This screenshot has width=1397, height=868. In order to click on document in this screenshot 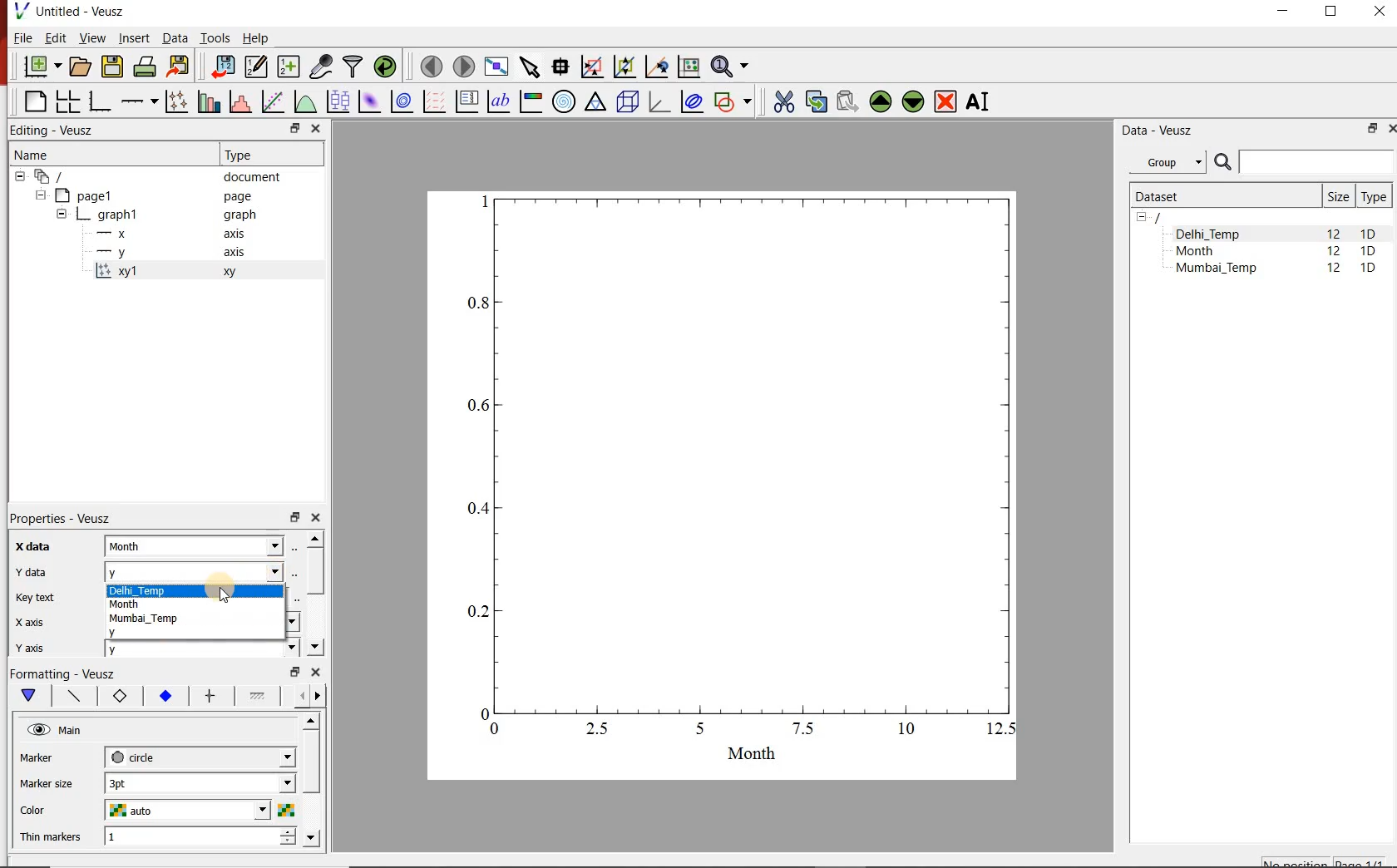, I will do `click(151, 175)`.